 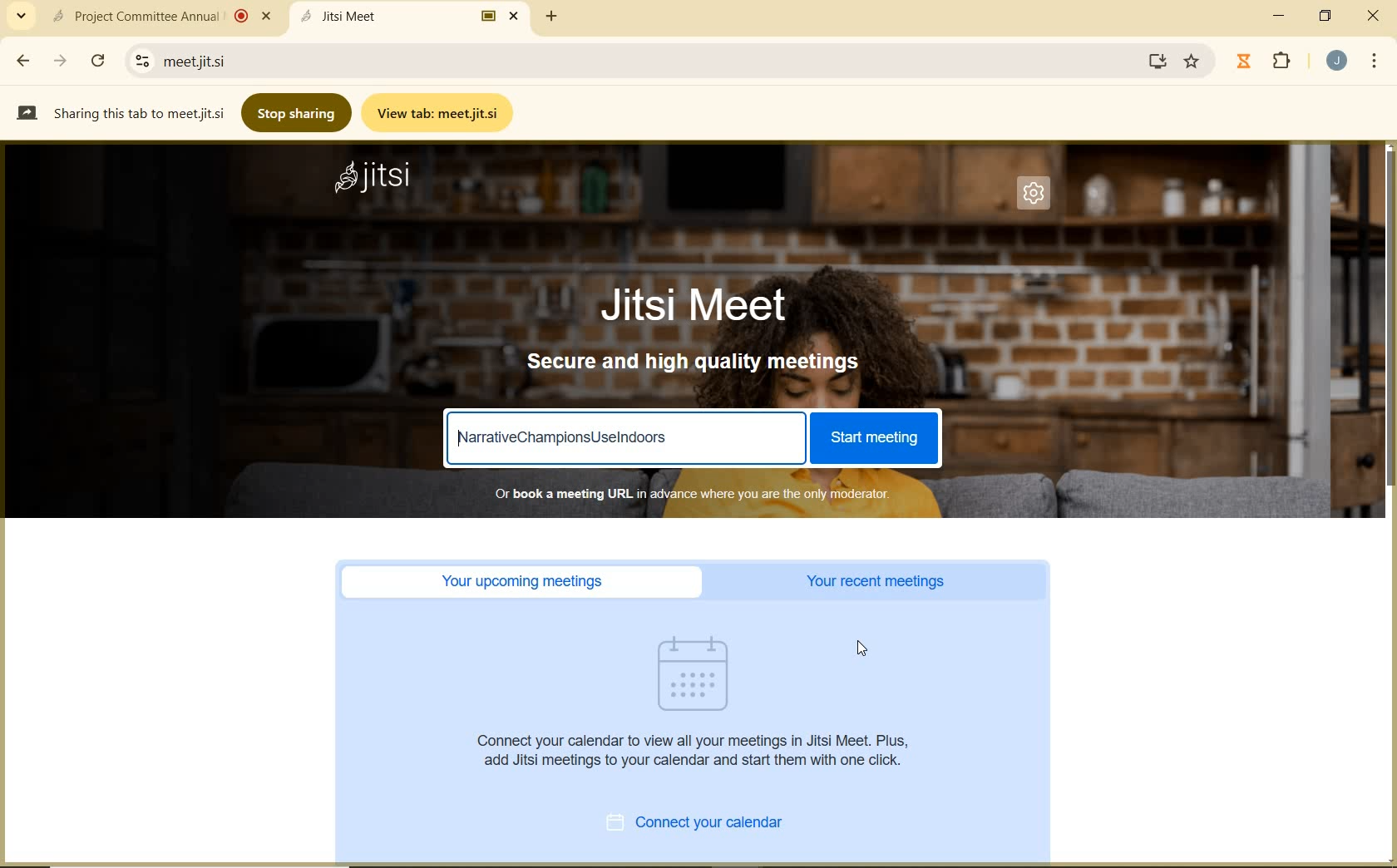 What do you see at coordinates (120, 112) in the screenshot?
I see `SHARING THIS TAB TO MEET.JIT.SI` at bounding box center [120, 112].